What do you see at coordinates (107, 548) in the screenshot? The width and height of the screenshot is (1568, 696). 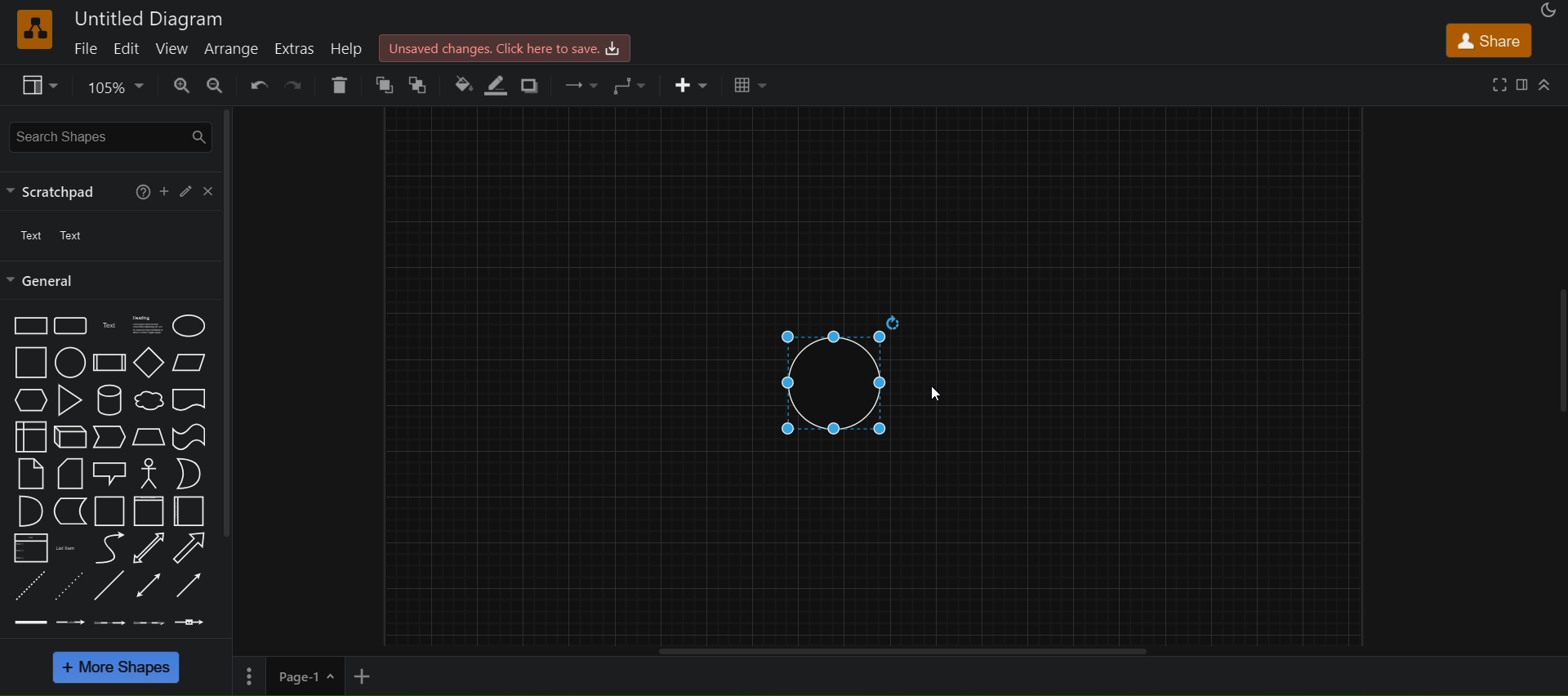 I see `curve` at bounding box center [107, 548].